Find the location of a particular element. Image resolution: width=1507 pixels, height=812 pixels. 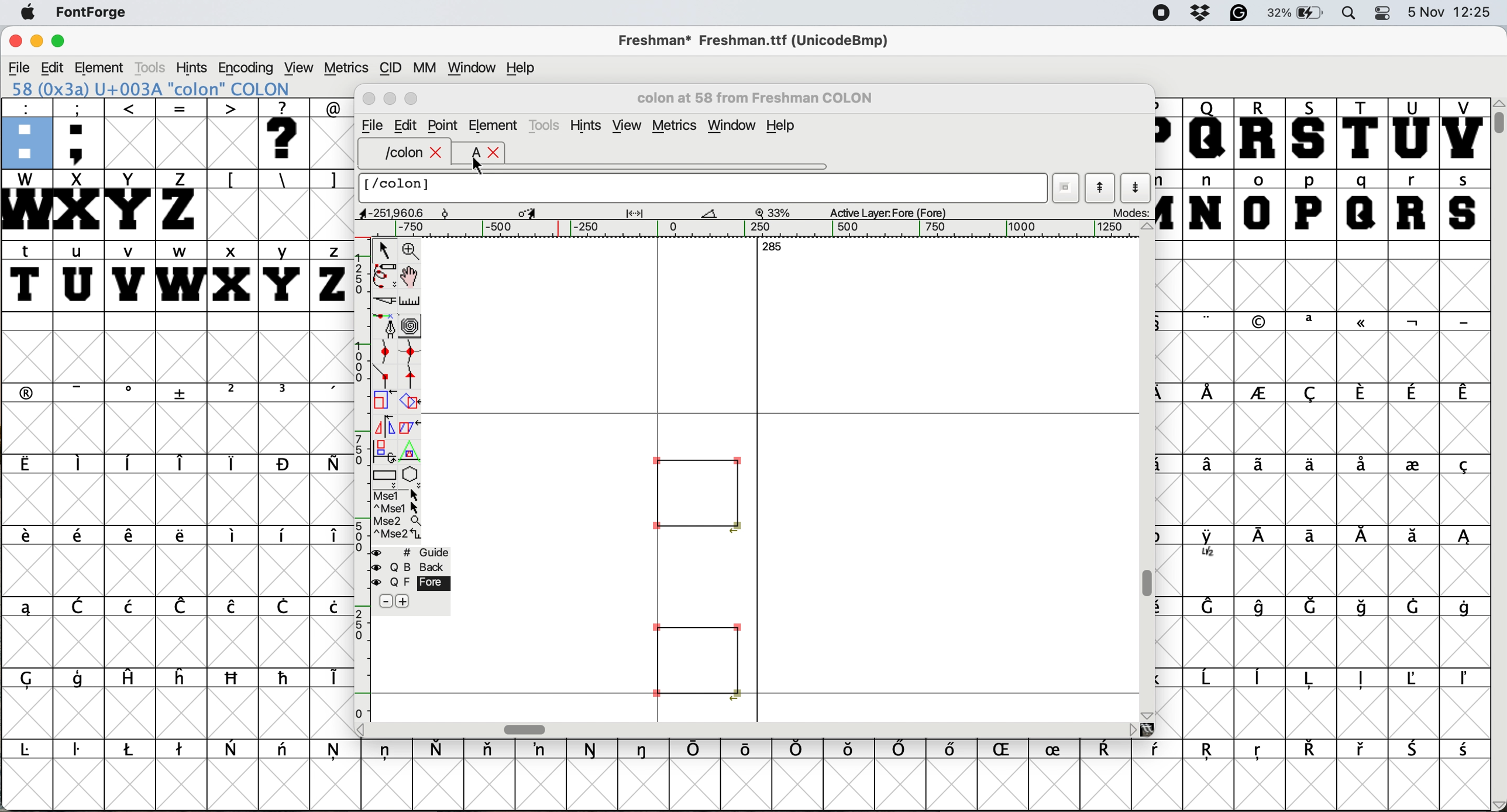

symbol is located at coordinates (1363, 466).